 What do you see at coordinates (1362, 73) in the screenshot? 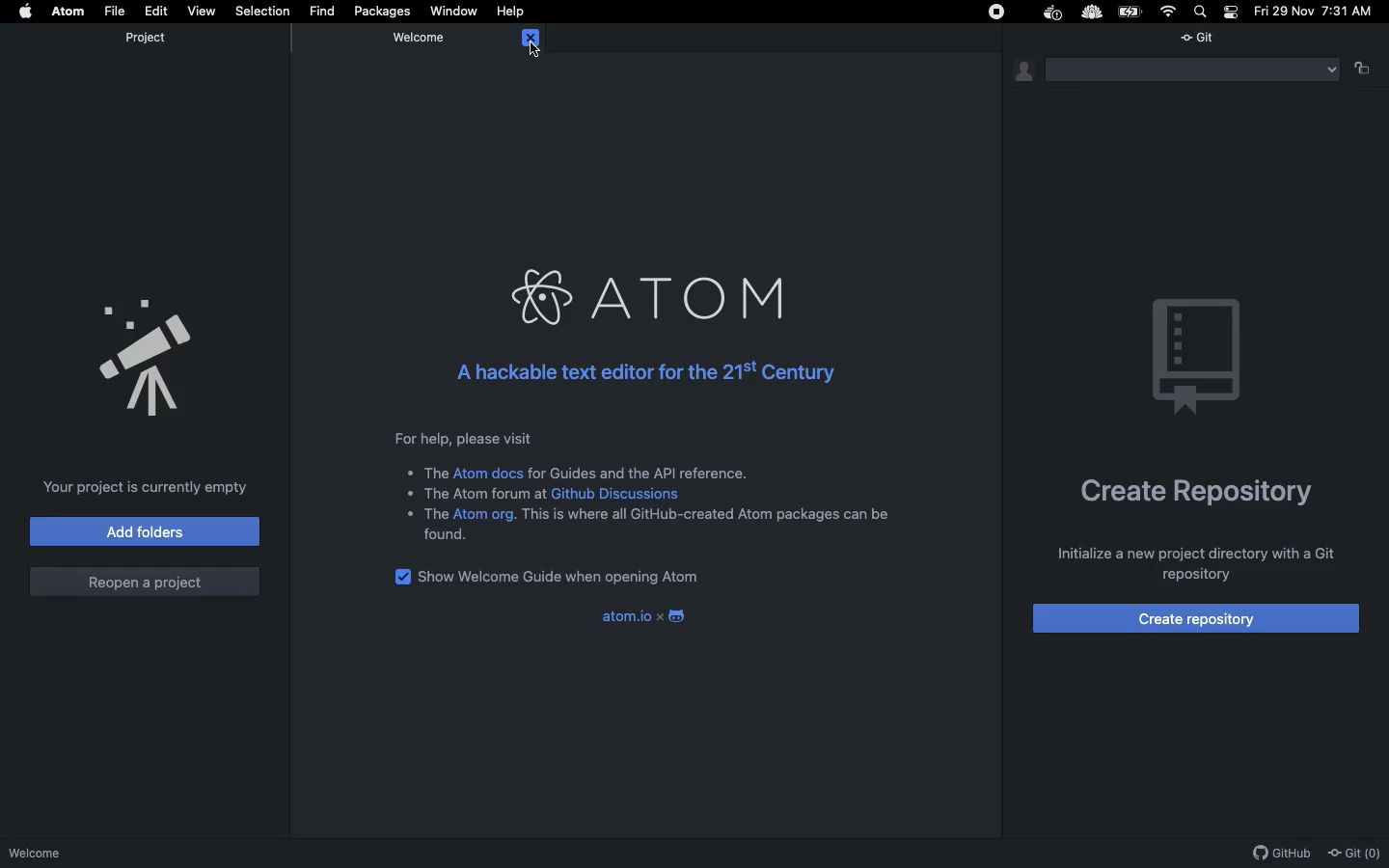
I see `unlock ` at bounding box center [1362, 73].